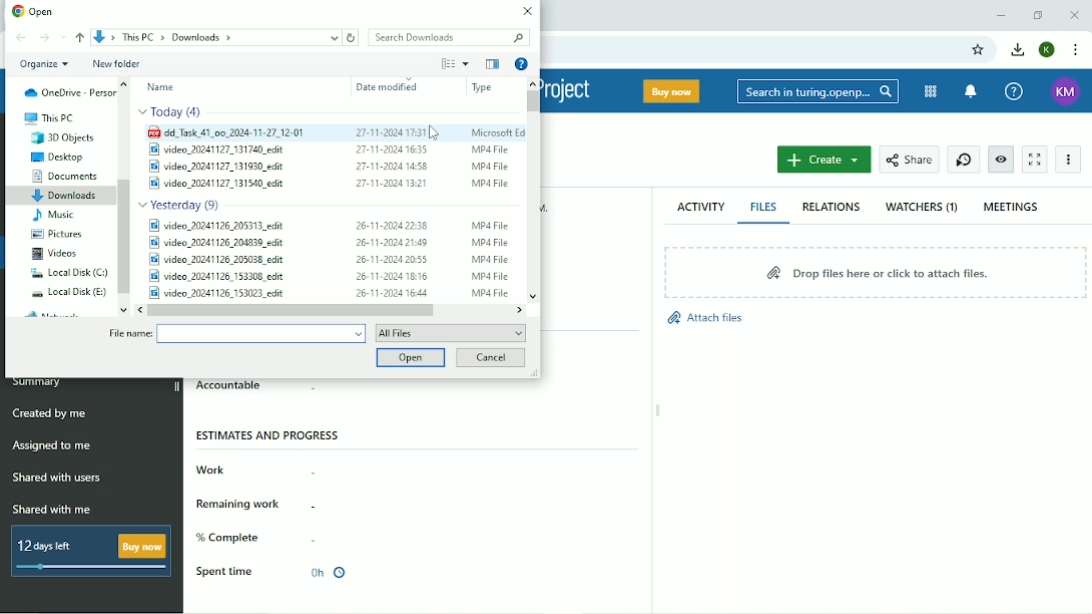  Describe the element at coordinates (352, 37) in the screenshot. I see `Refresh "Downloads"` at that location.